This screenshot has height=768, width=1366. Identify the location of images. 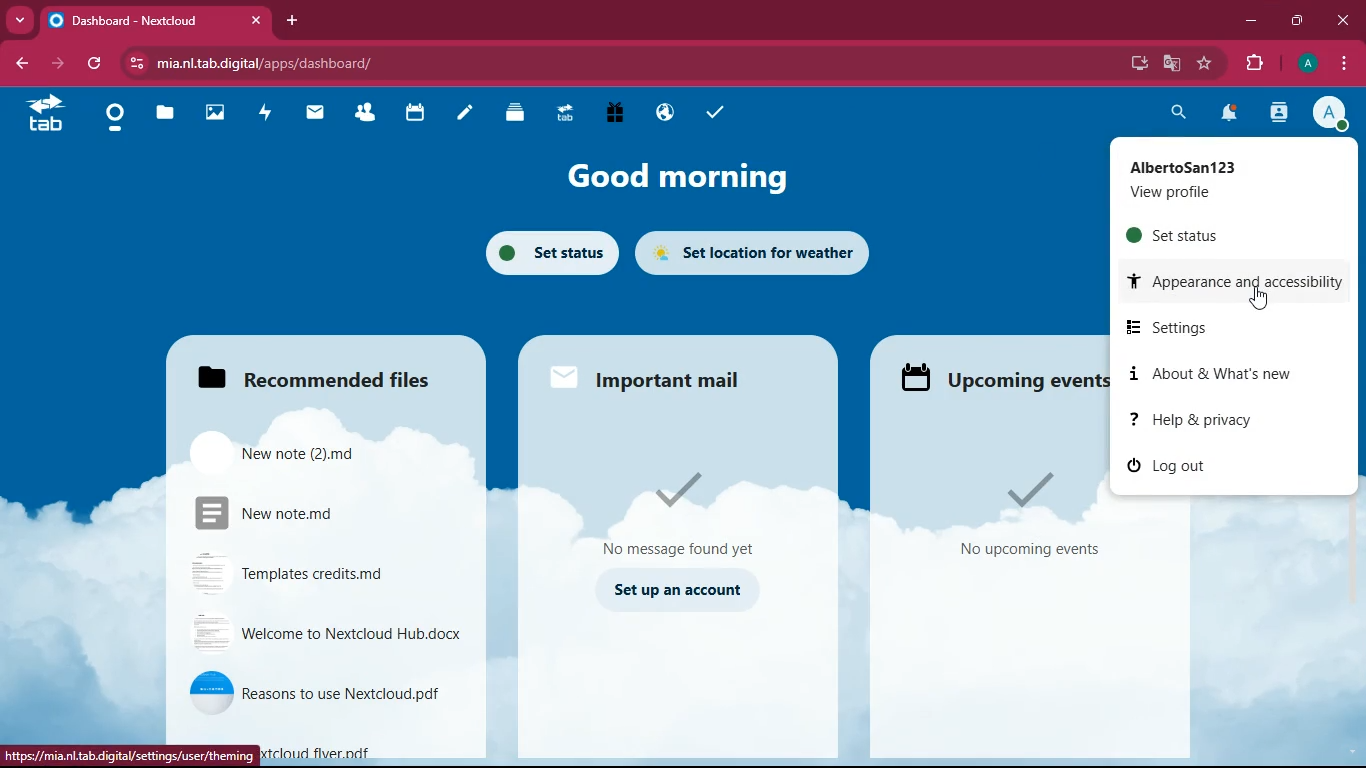
(211, 114).